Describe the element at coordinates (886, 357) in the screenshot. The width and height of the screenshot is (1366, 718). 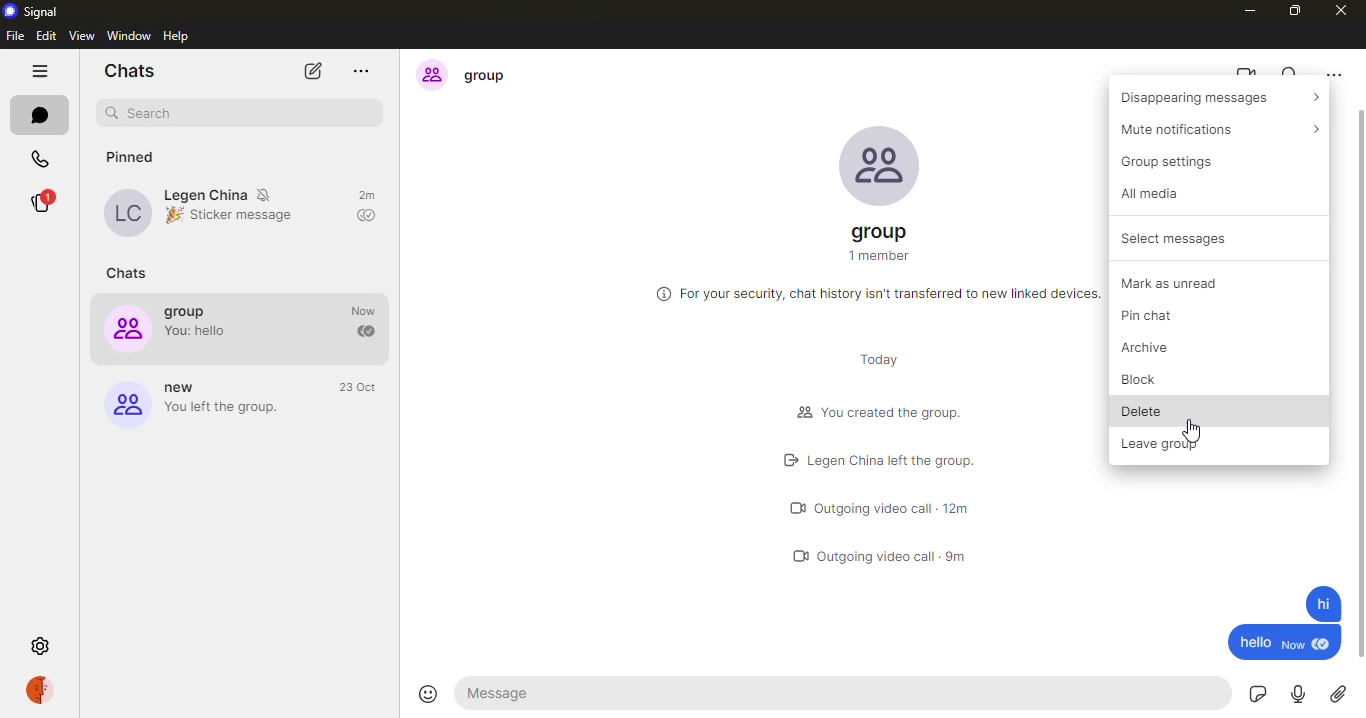
I see `today` at that location.